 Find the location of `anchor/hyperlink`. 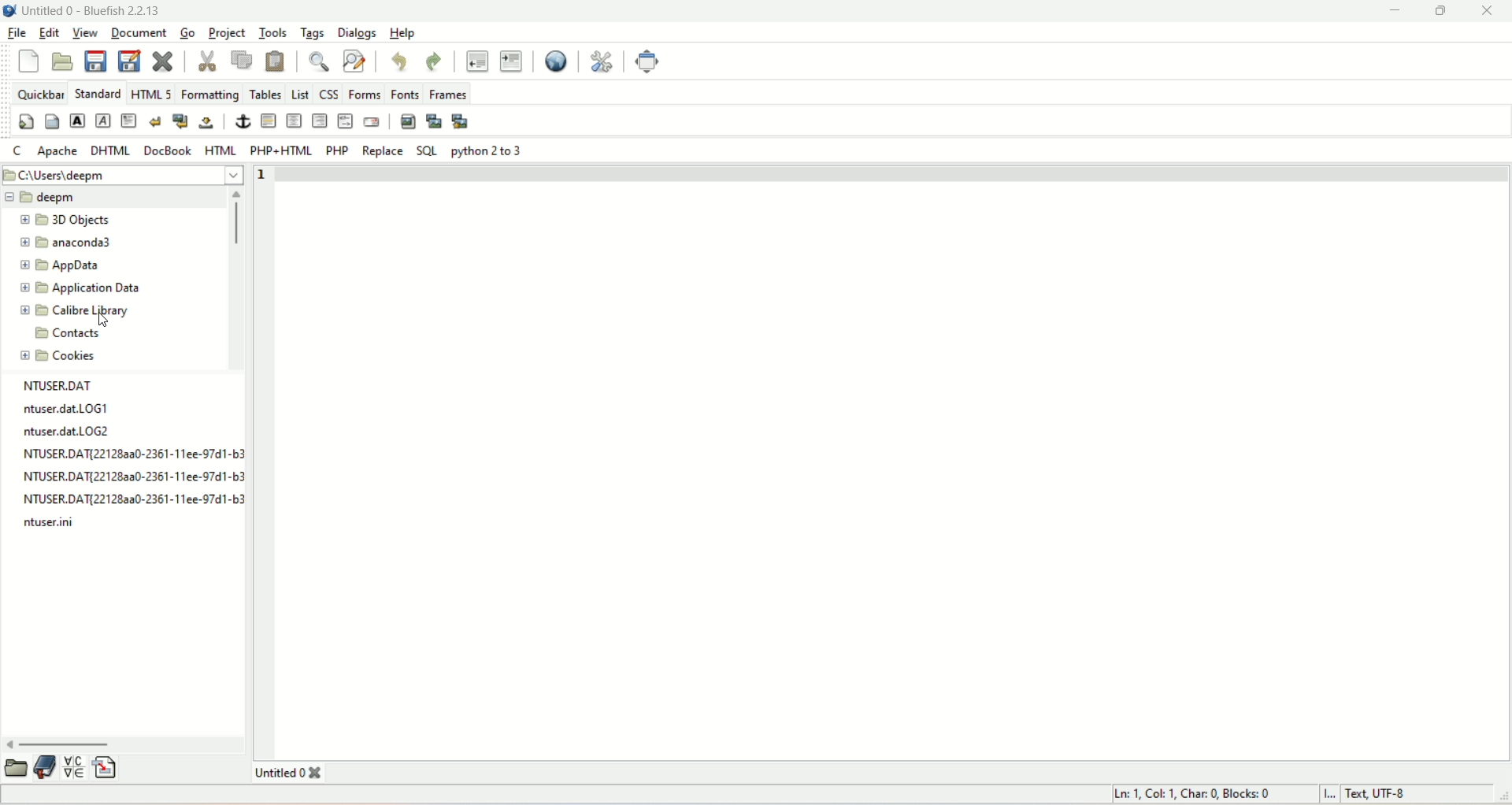

anchor/hyperlink is located at coordinates (243, 121).